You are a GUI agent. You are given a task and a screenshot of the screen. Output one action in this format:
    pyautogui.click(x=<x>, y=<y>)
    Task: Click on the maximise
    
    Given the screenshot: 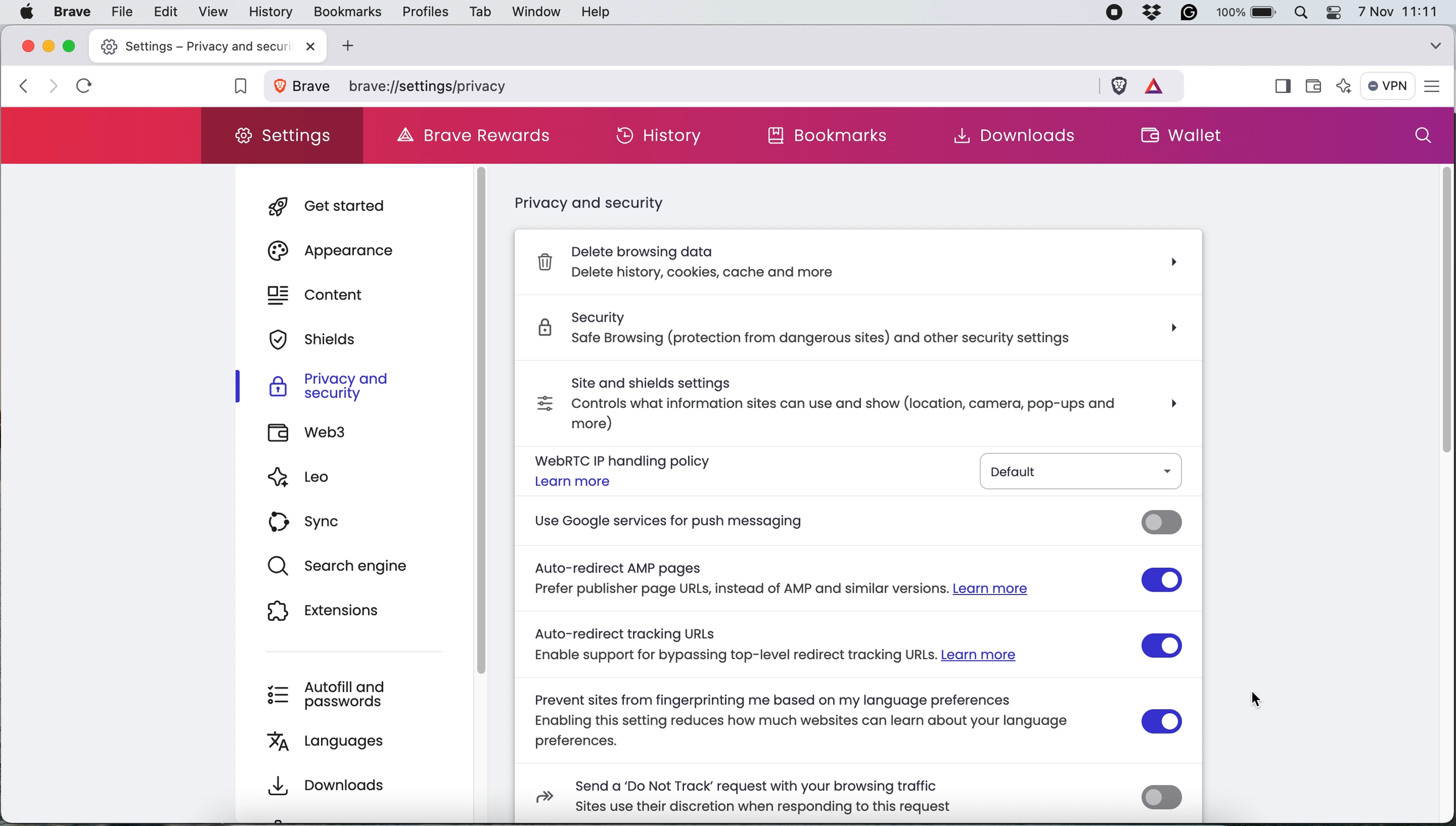 What is the action you would take?
    pyautogui.click(x=71, y=45)
    